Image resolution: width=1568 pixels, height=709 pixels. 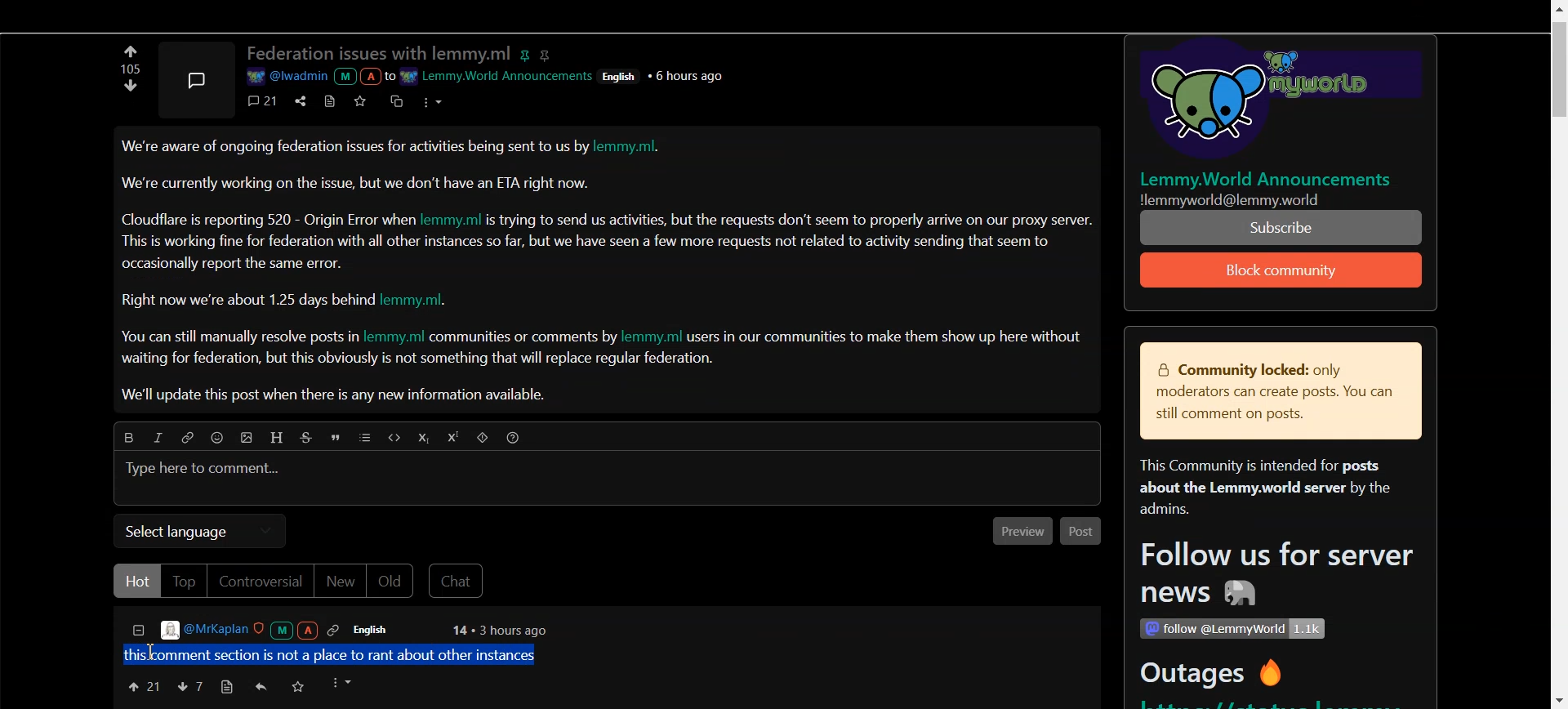 What do you see at coordinates (250, 439) in the screenshot?
I see `Upload picture` at bounding box center [250, 439].